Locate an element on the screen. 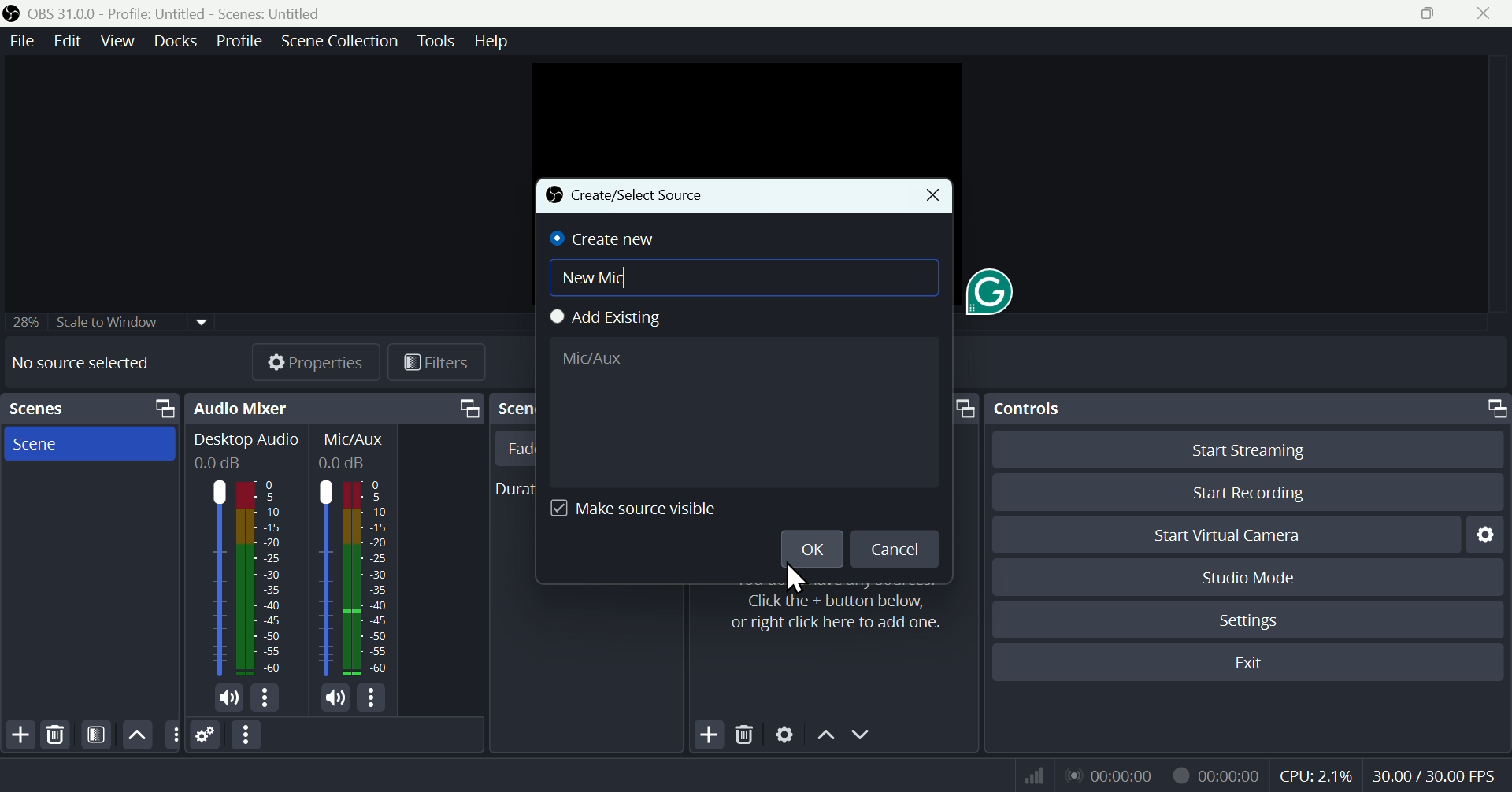  Frame Per Second is located at coordinates (1434, 777).